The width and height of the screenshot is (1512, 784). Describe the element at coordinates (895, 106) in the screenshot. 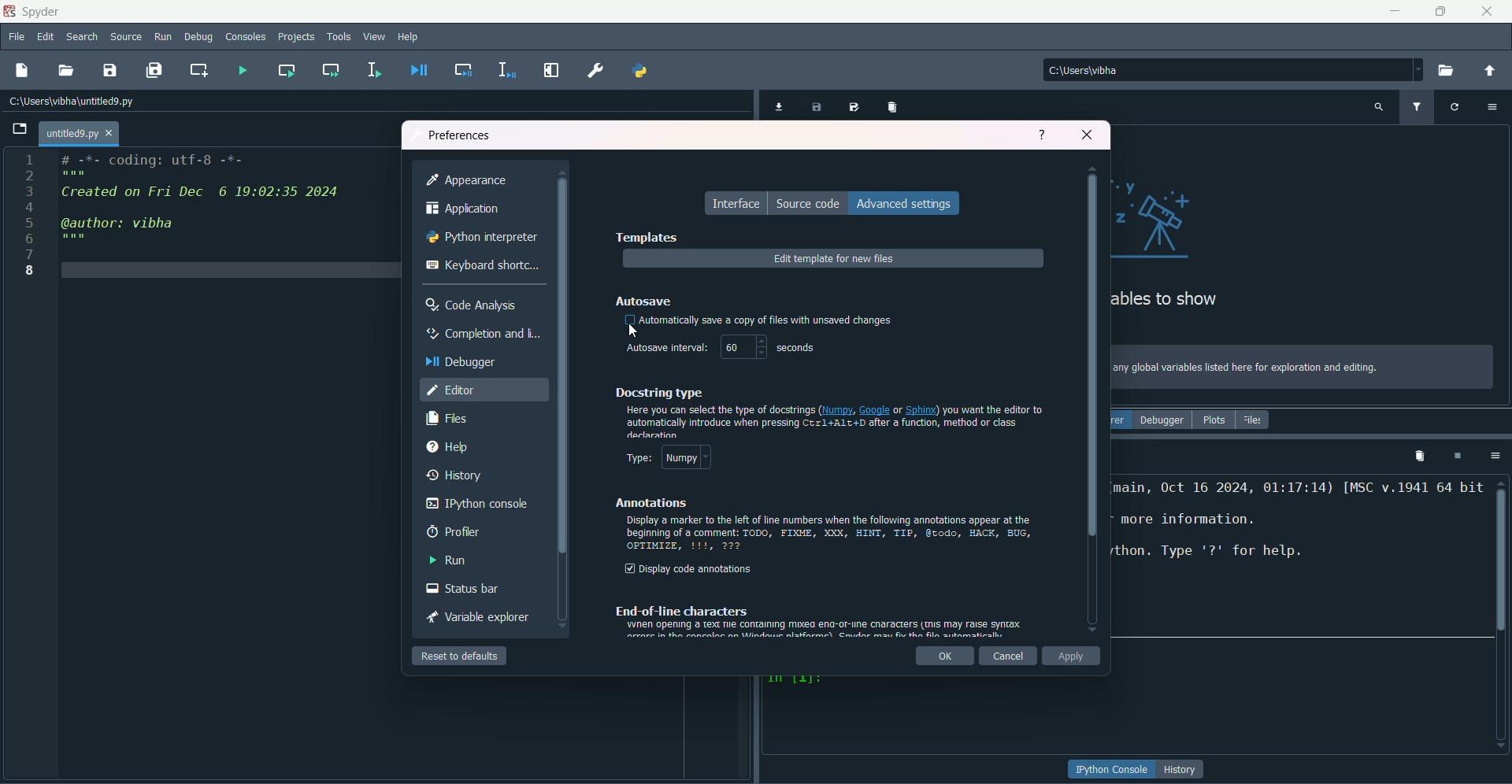

I see `remove all variables` at that location.